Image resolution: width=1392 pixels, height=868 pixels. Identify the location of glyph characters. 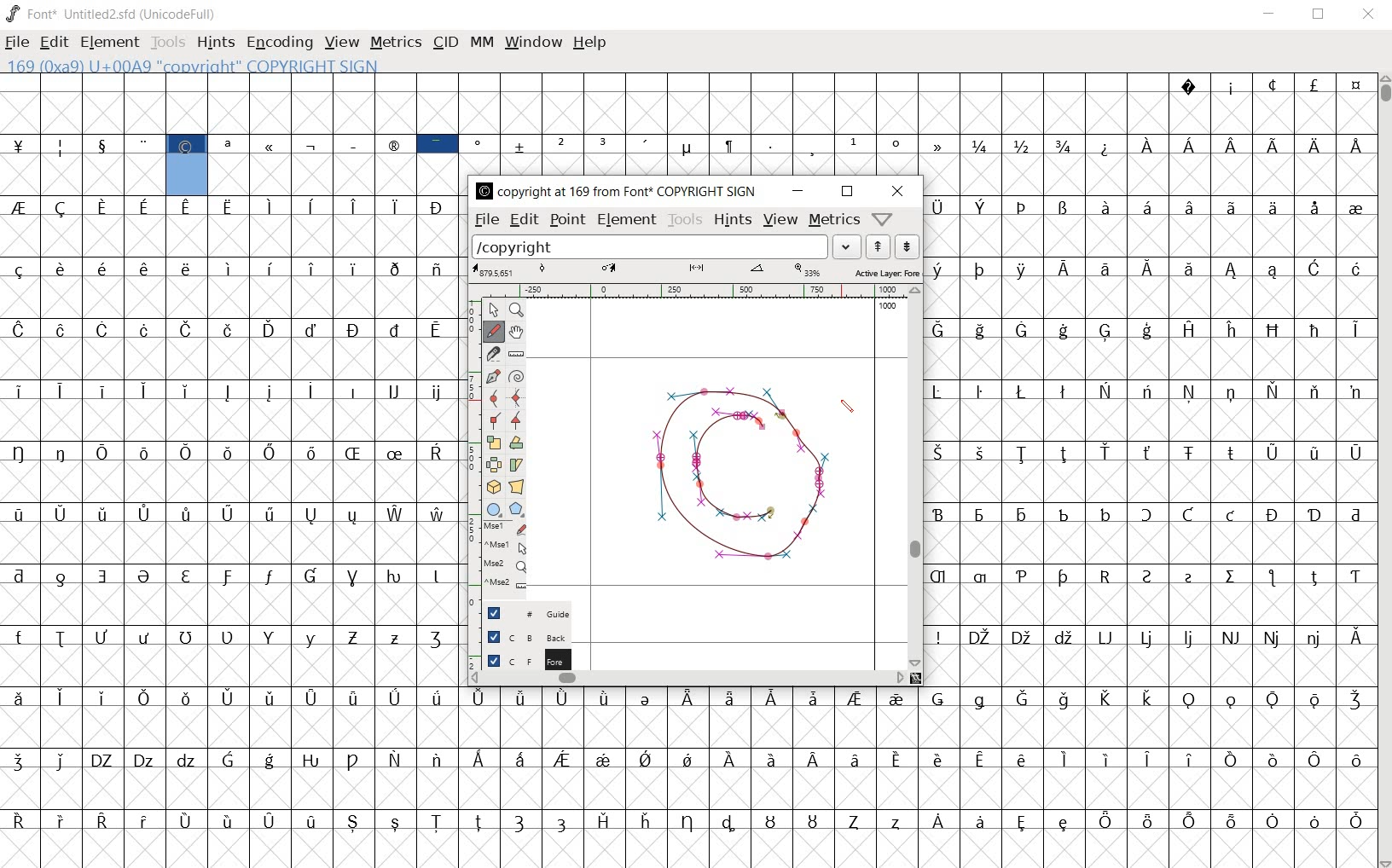
(894, 123).